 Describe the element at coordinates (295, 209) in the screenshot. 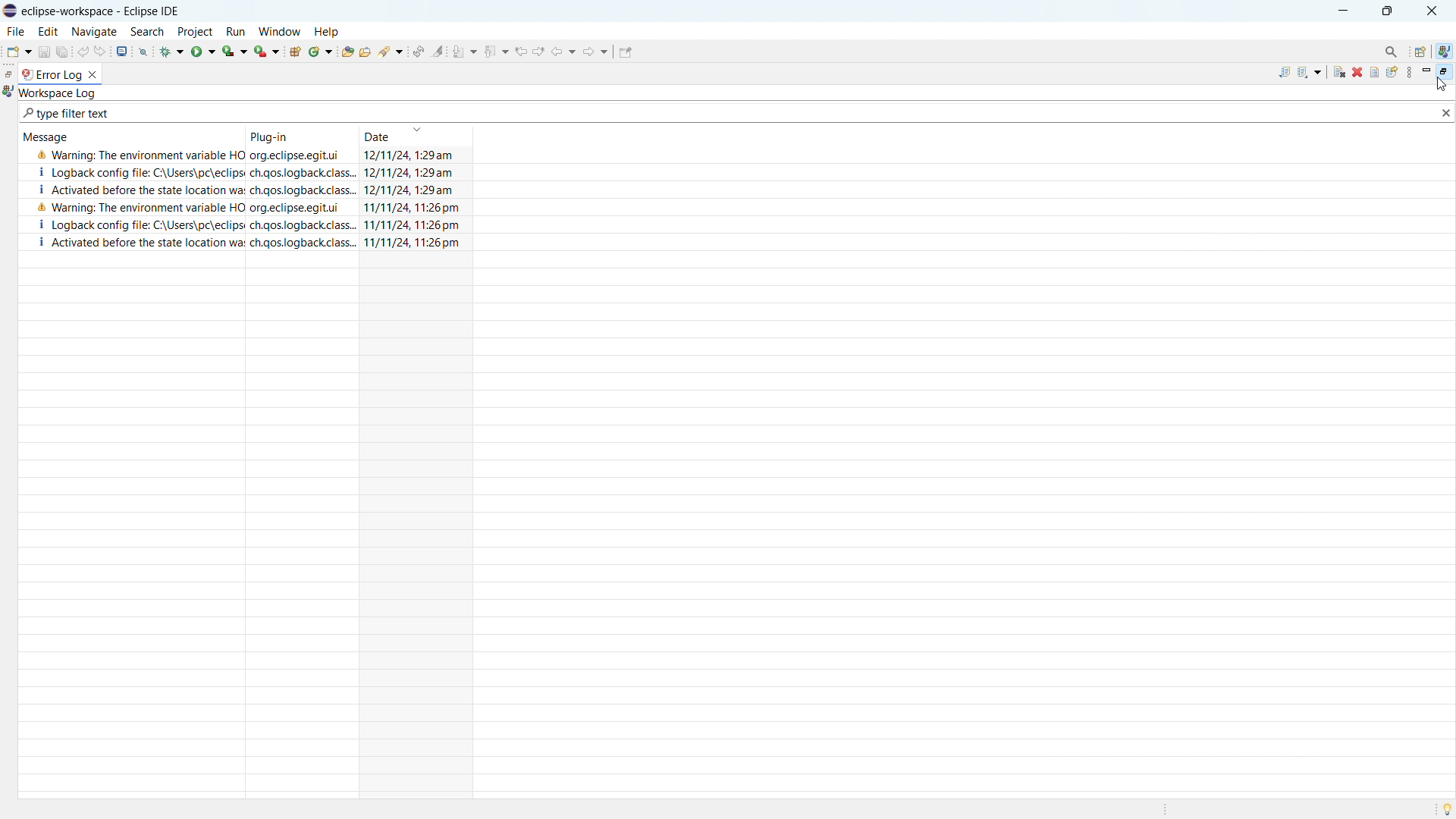

I see `org.eclipse.egit.ui` at that location.